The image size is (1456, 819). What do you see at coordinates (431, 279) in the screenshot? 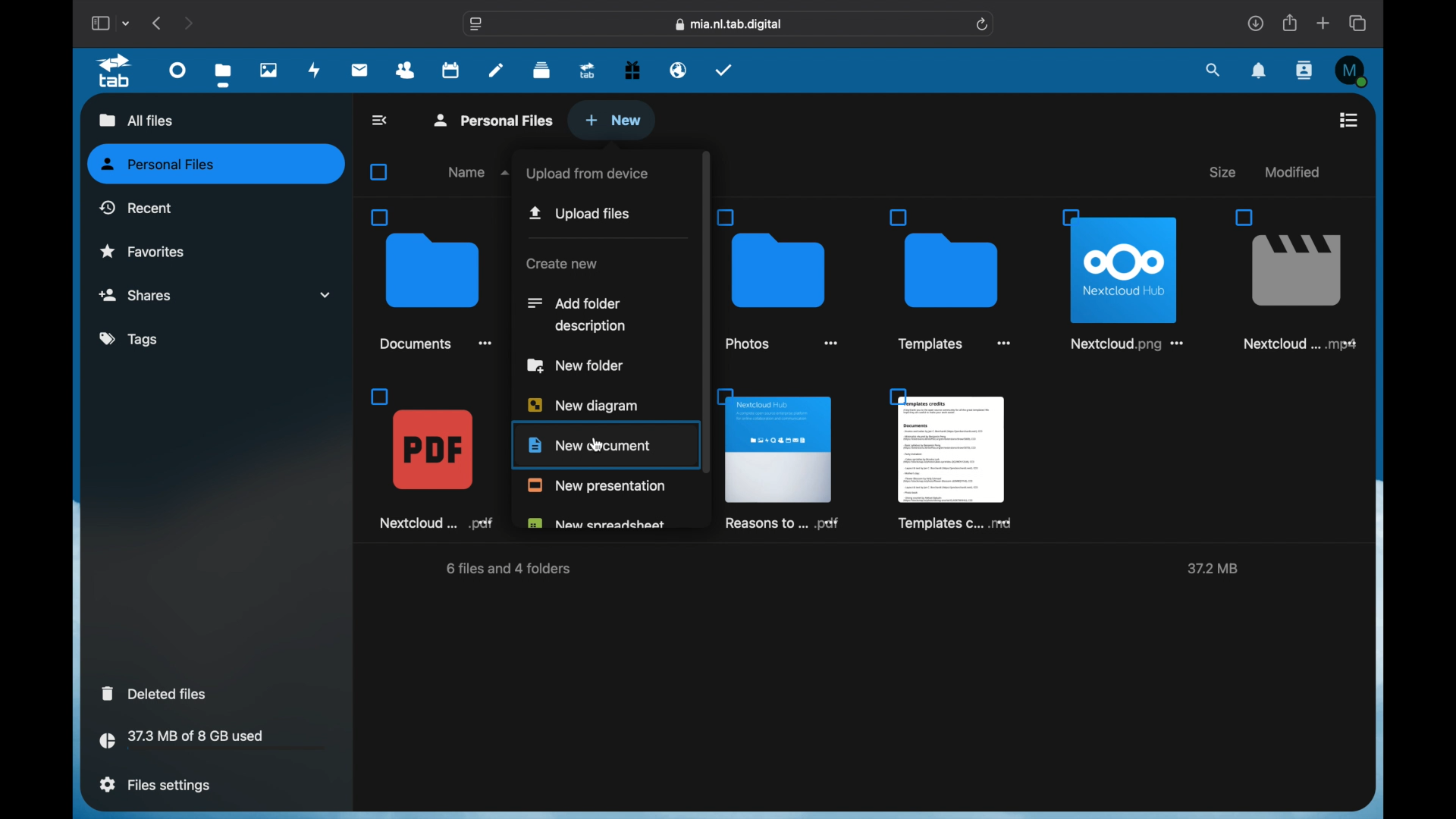
I see `folder` at bounding box center [431, 279].